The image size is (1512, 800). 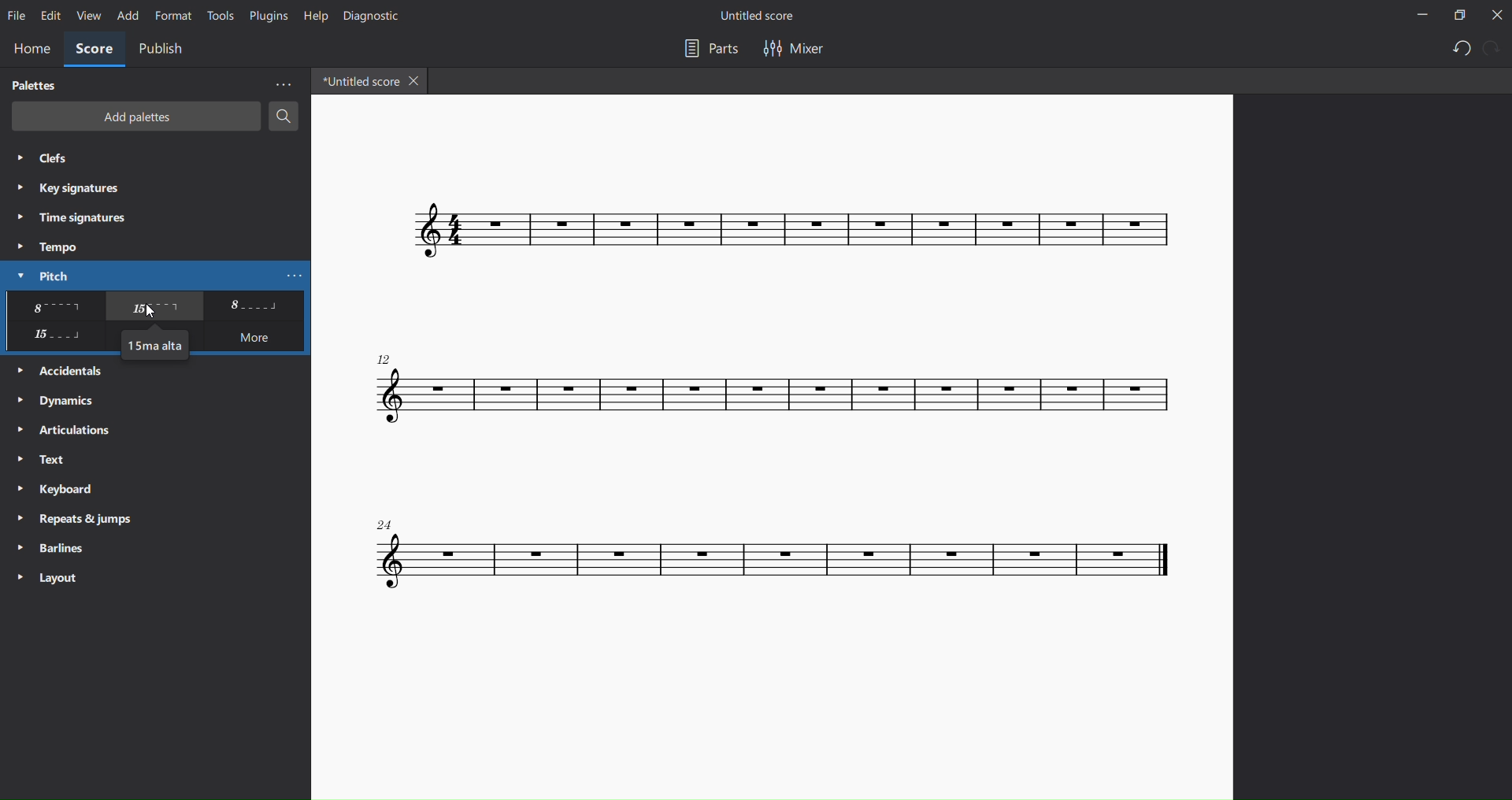 What do you see at coordinates (70, 219) in the screenshot?
I see `time signatures` at bounding box center [70, 219].